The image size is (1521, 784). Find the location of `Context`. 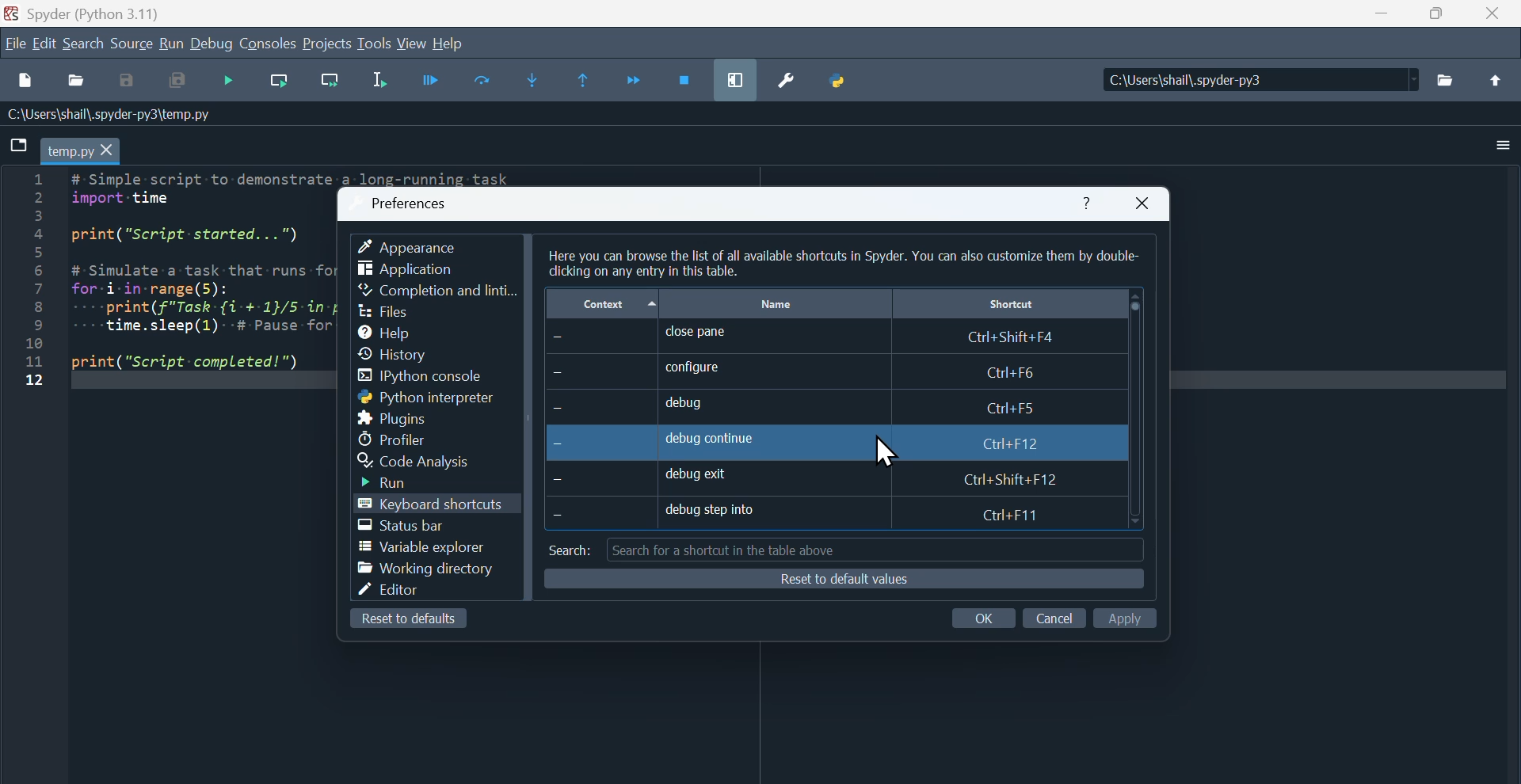

Context is located at coordinates (602, 303).